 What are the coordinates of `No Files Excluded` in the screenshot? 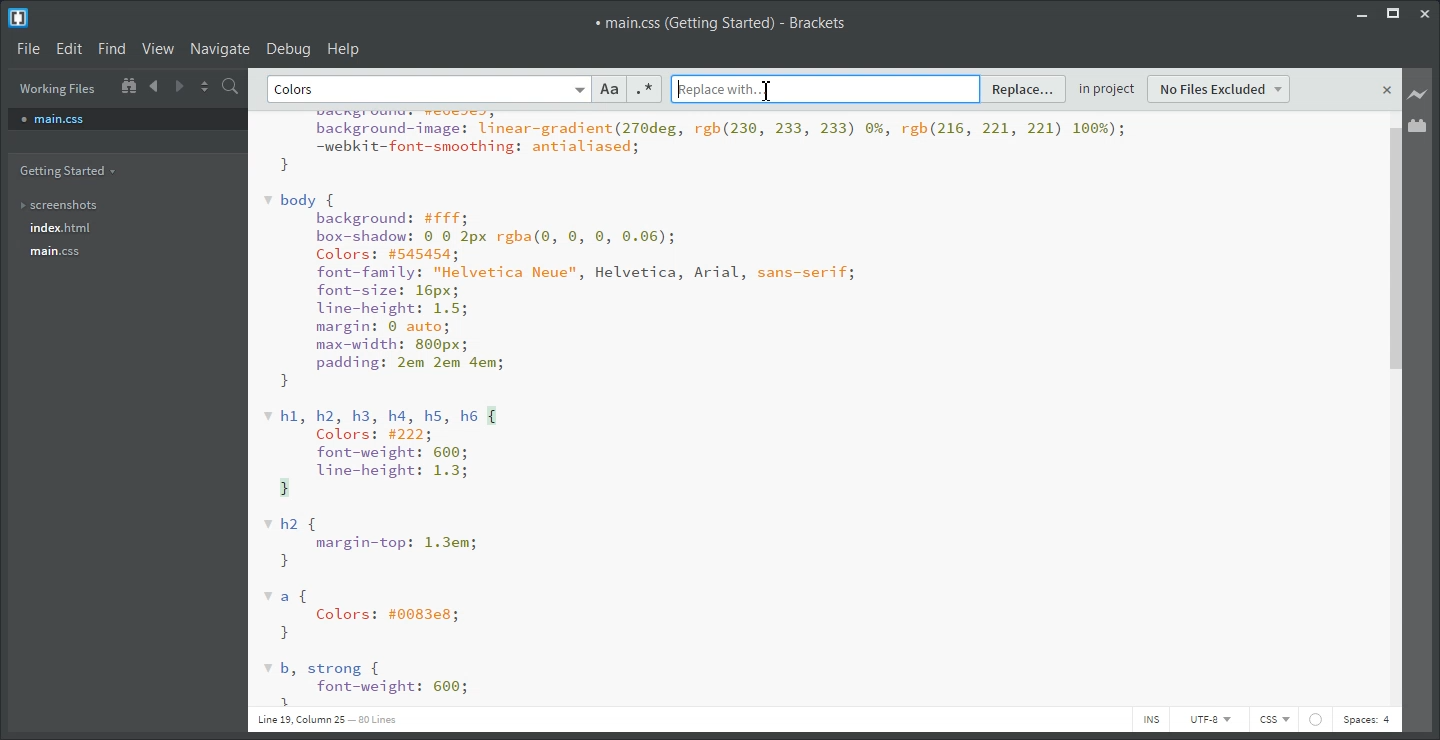 It's located at (1220, 89).